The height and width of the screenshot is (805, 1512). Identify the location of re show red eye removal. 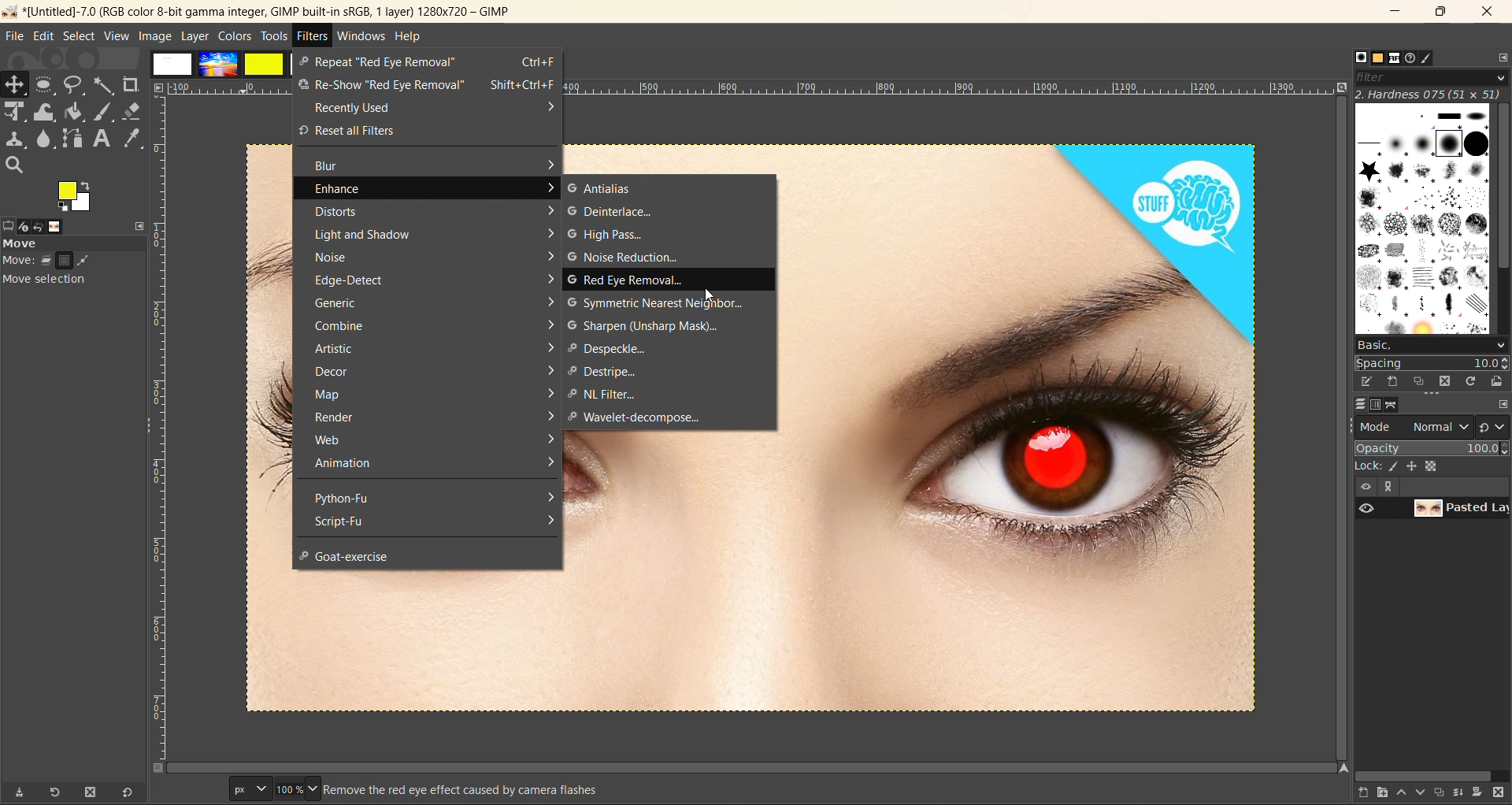
(426, 86).